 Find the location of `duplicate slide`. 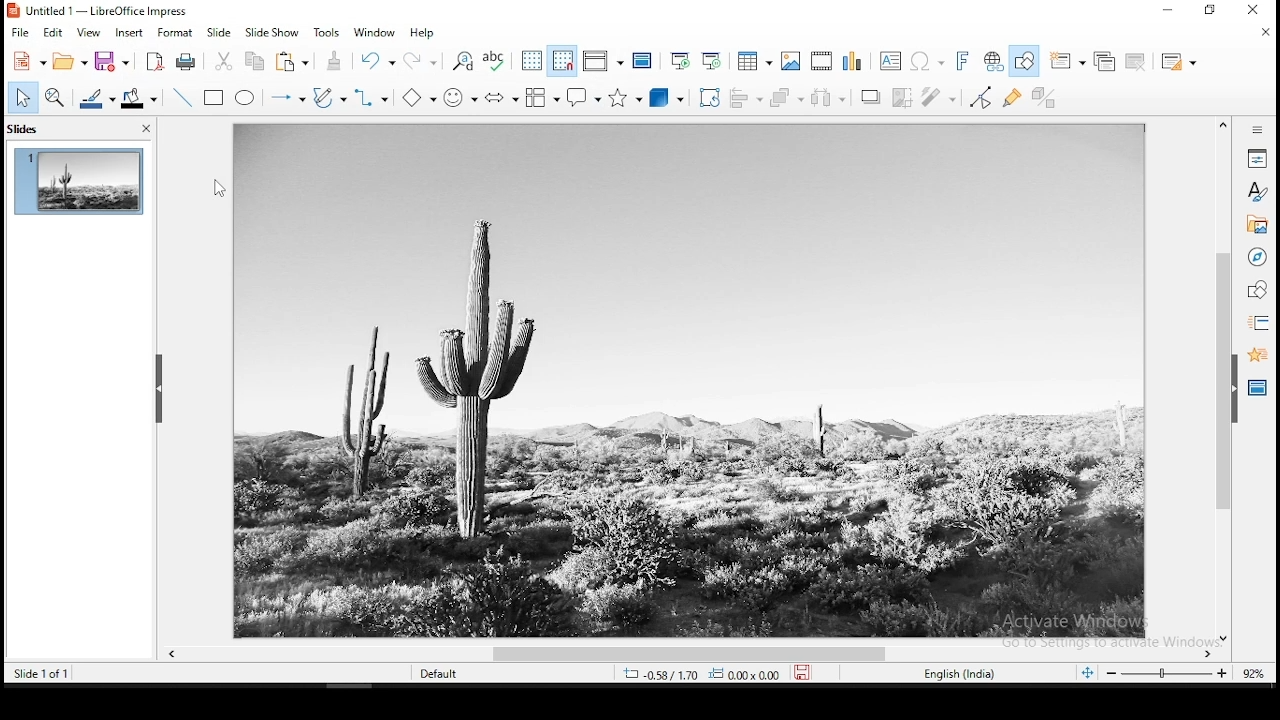

duplicate slide is located at coordinates (1103, 62).